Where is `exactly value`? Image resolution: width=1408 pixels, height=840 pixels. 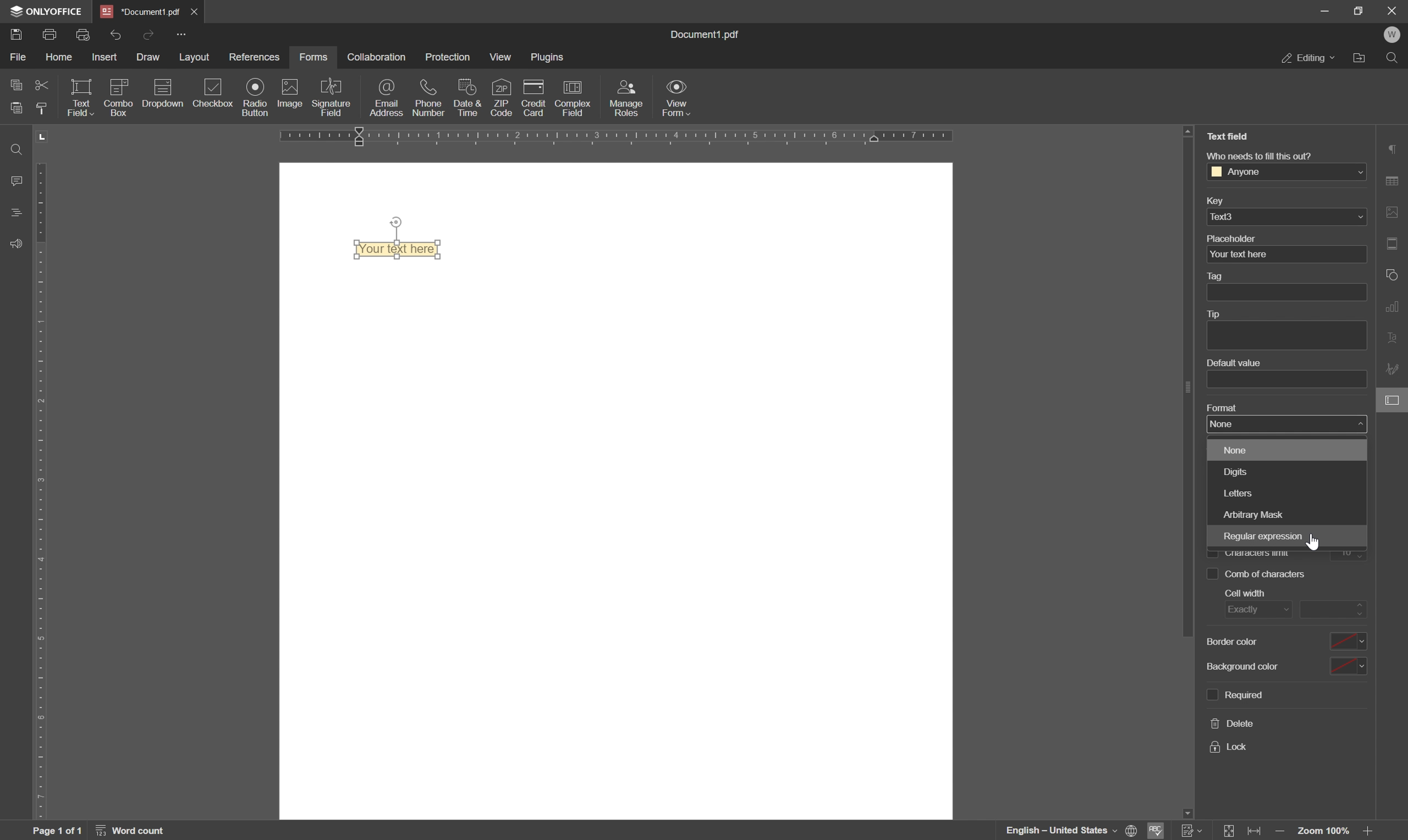 exactly value is located at coordinates (1333, 608).